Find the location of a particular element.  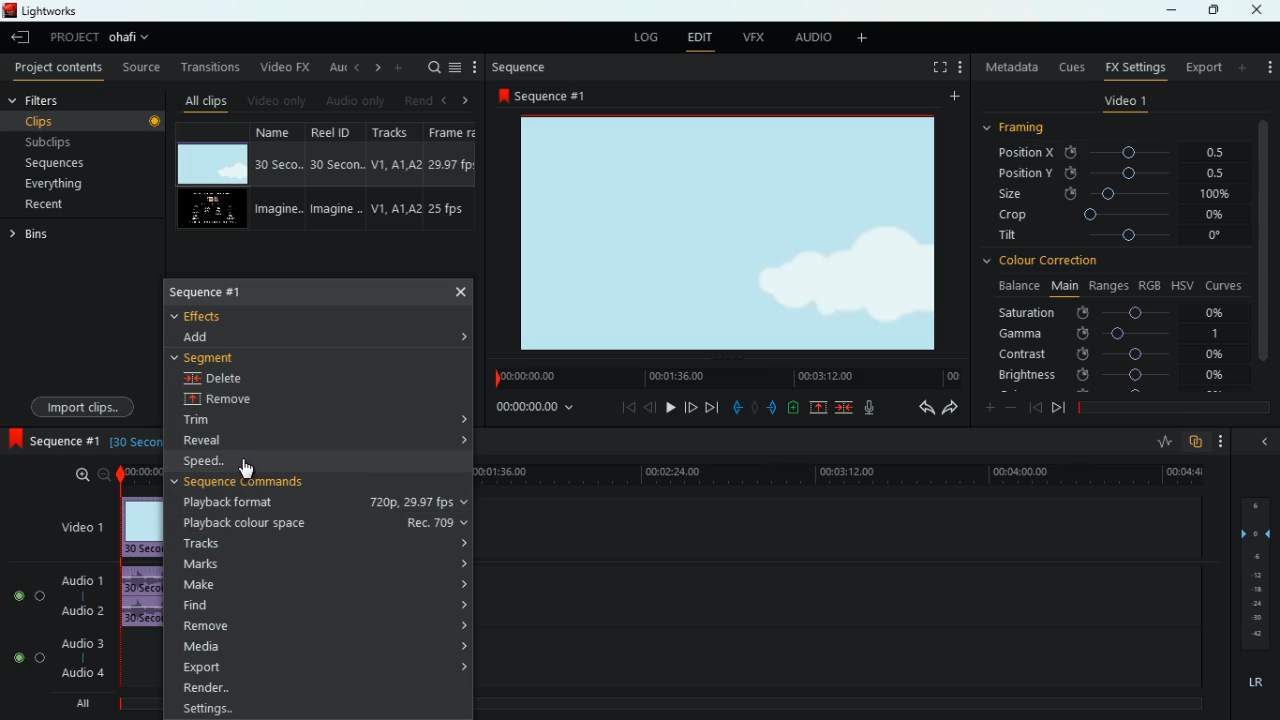

source is located at coordinates (141, 67).